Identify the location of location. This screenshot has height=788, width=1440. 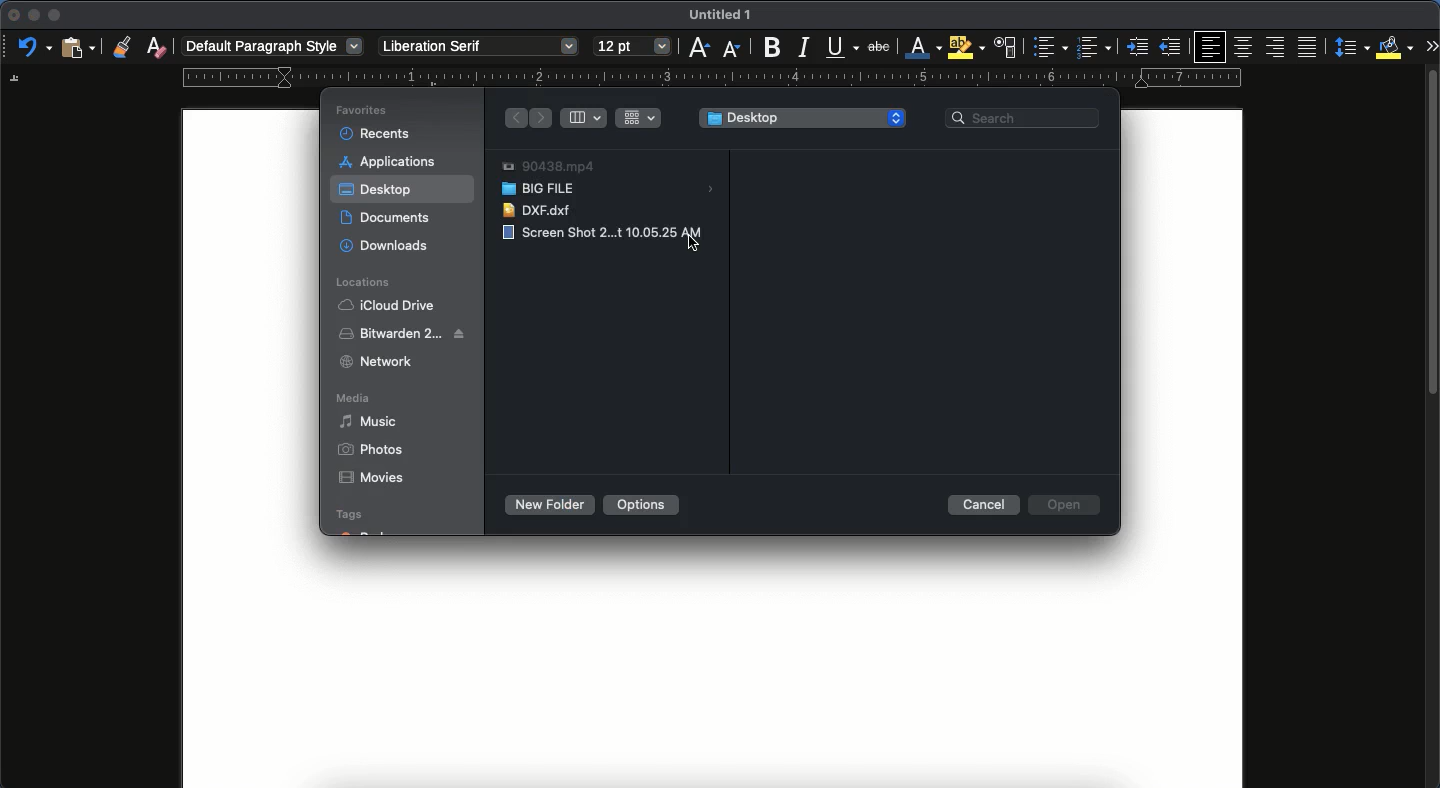
(368, 282).